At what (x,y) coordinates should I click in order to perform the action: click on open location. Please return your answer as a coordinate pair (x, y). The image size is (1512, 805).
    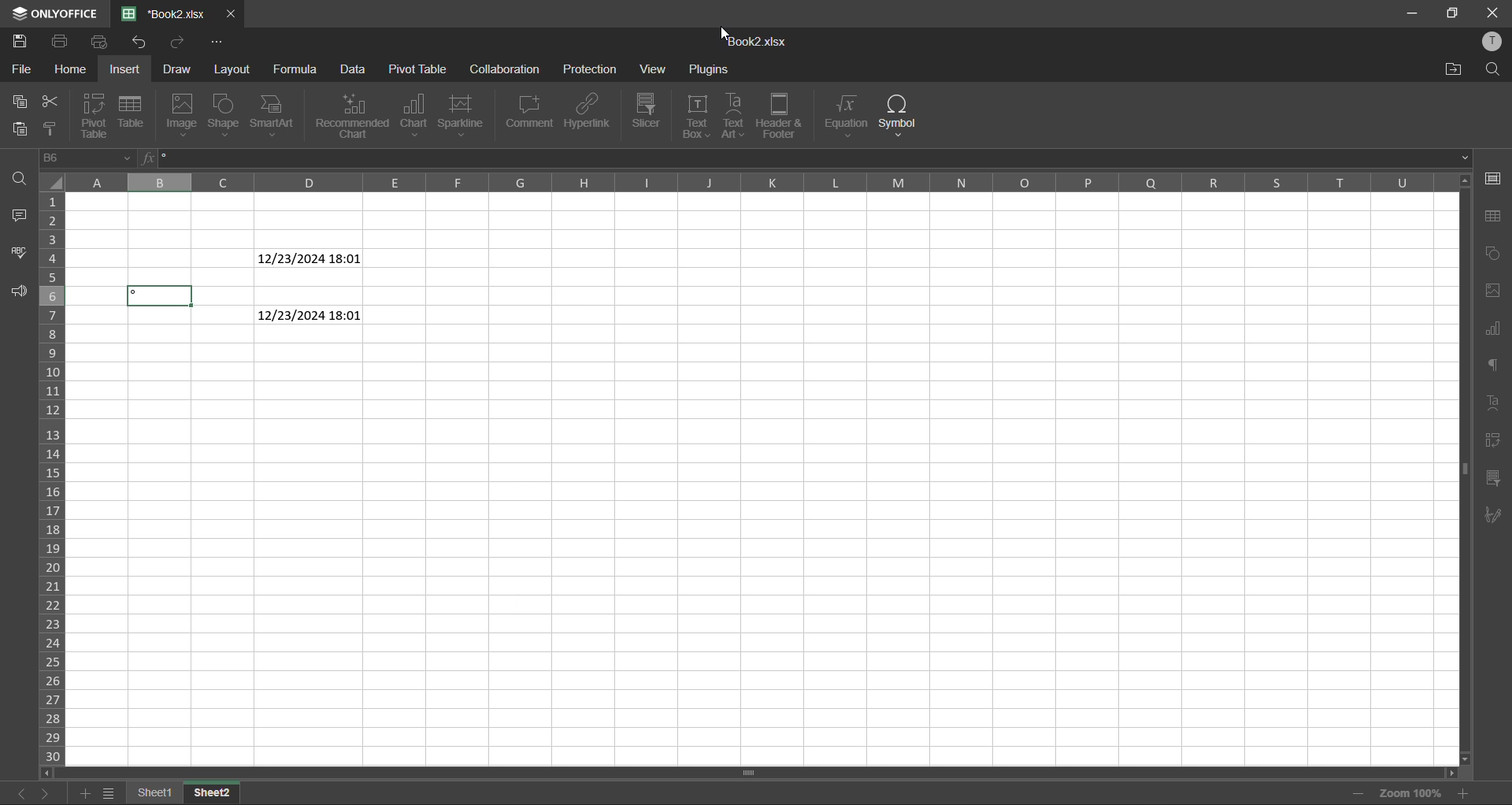
    Looking at the image, I should click on (1451, 71).